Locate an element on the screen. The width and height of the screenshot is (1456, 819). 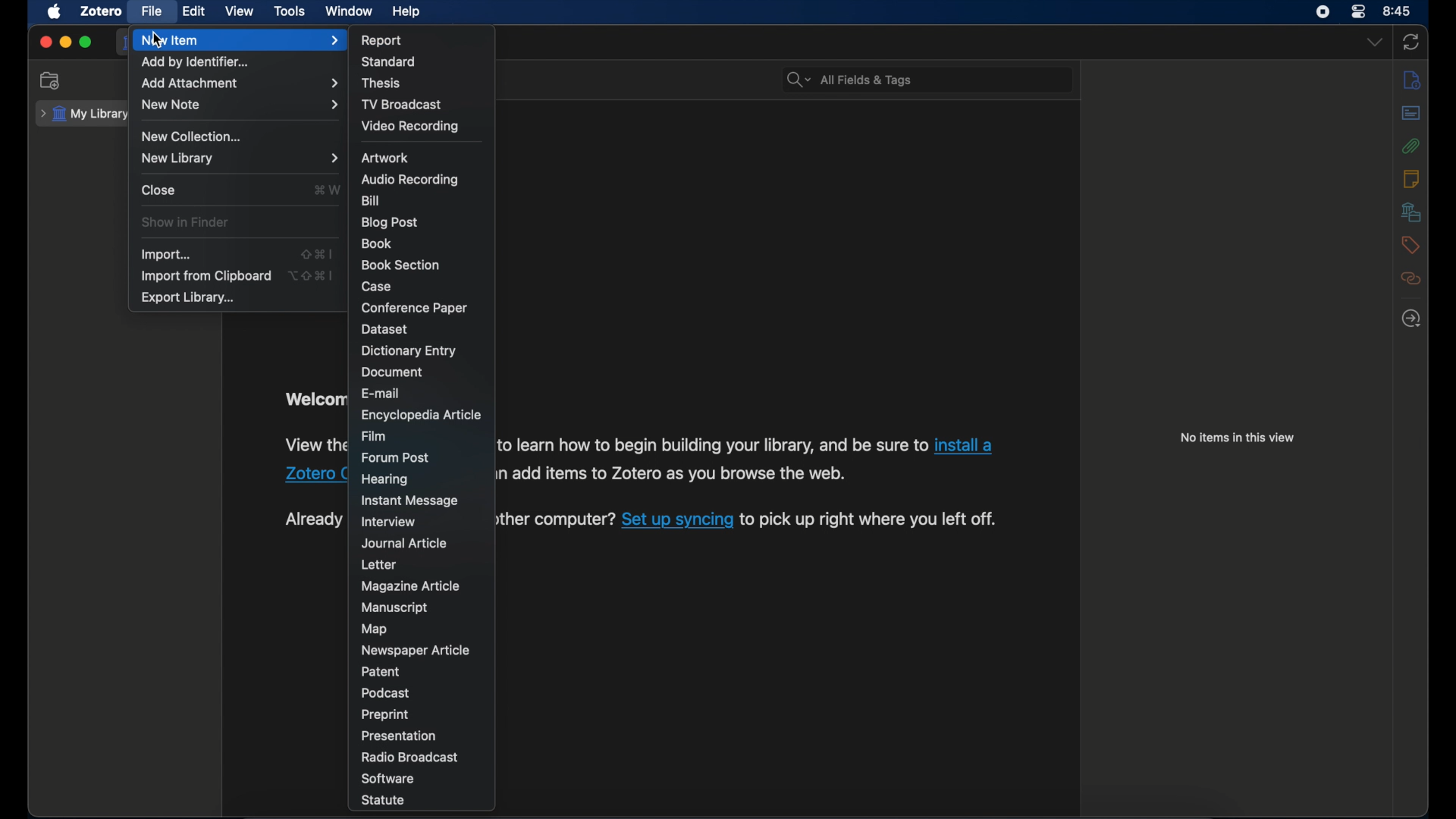
Already using Zotero on another computer? Set up syncing to pick up right where you left off. is located at coordinates (558, 522).